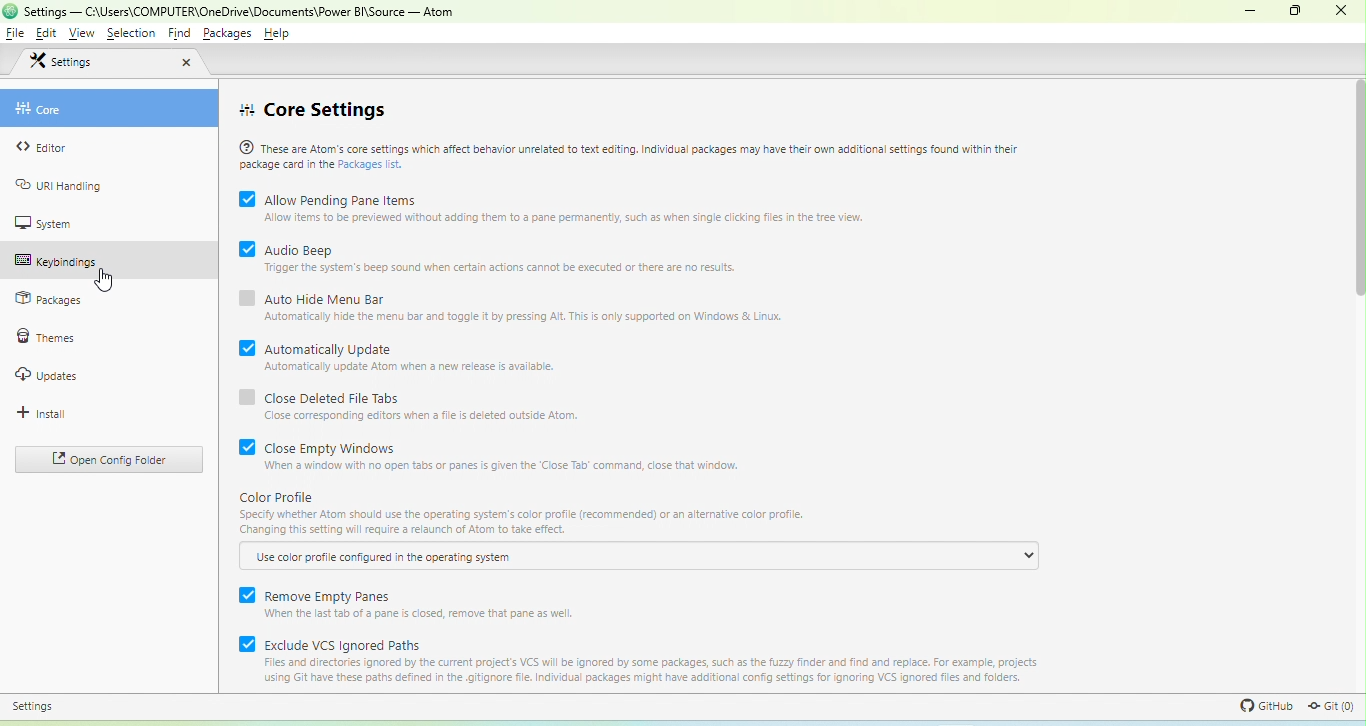 Image resolution: width=1366 pixels, height=726 pixels. I want to click on core, so click(41, 109).